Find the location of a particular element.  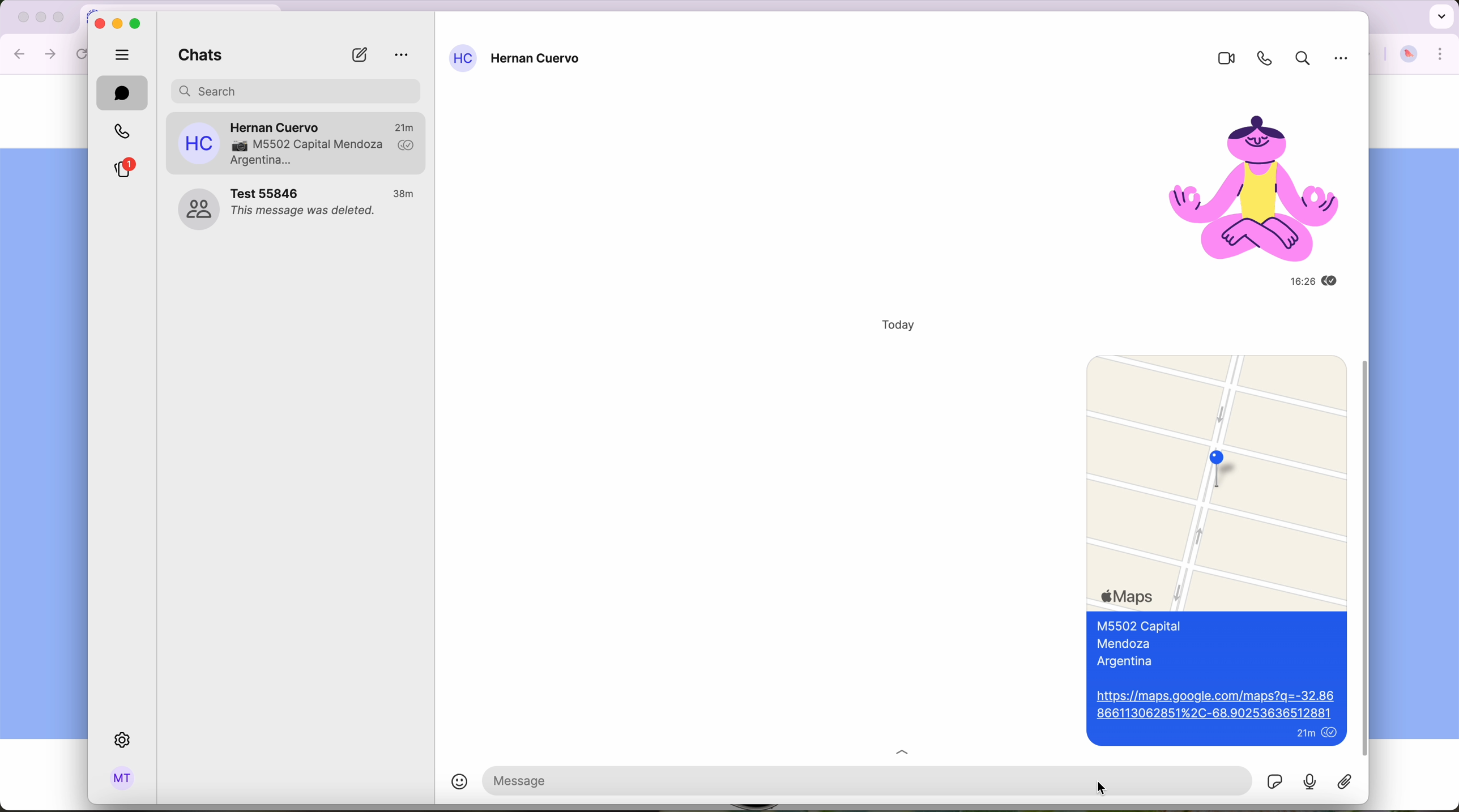

https://maps.google.com/maps?q=-32.86
866113062851%2C-68.90253636512881 is located at coordinates (1215, 706).